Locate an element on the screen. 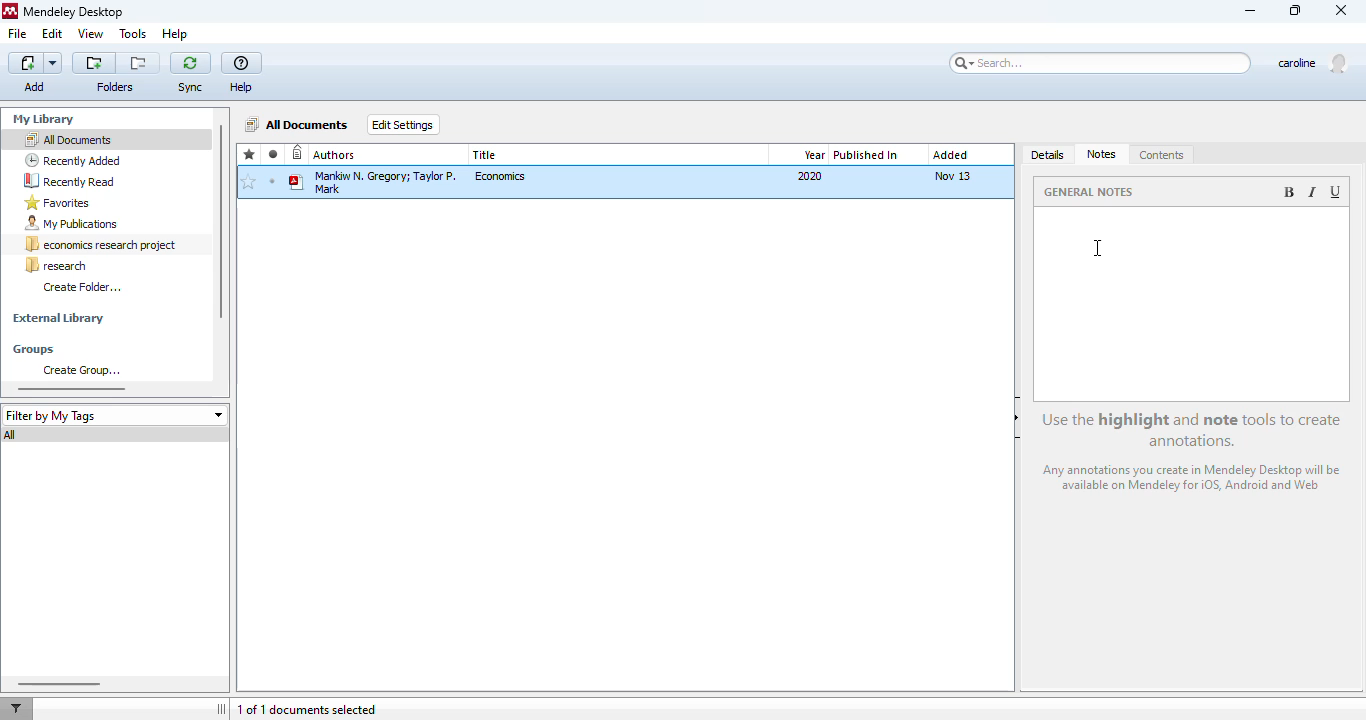 The width and height of the screenshot is (1366, 720). sync is located at coordinates (190, 62).